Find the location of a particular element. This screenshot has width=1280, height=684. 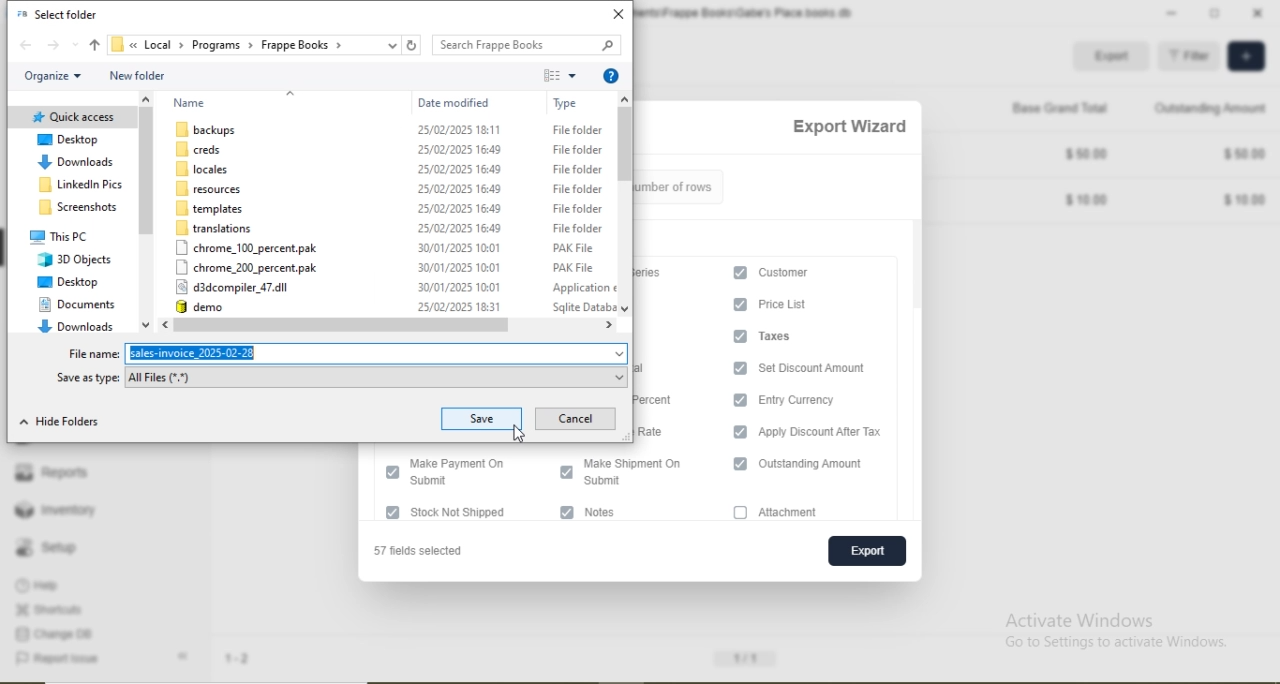

checkbox is located at coordinates (392, 471).